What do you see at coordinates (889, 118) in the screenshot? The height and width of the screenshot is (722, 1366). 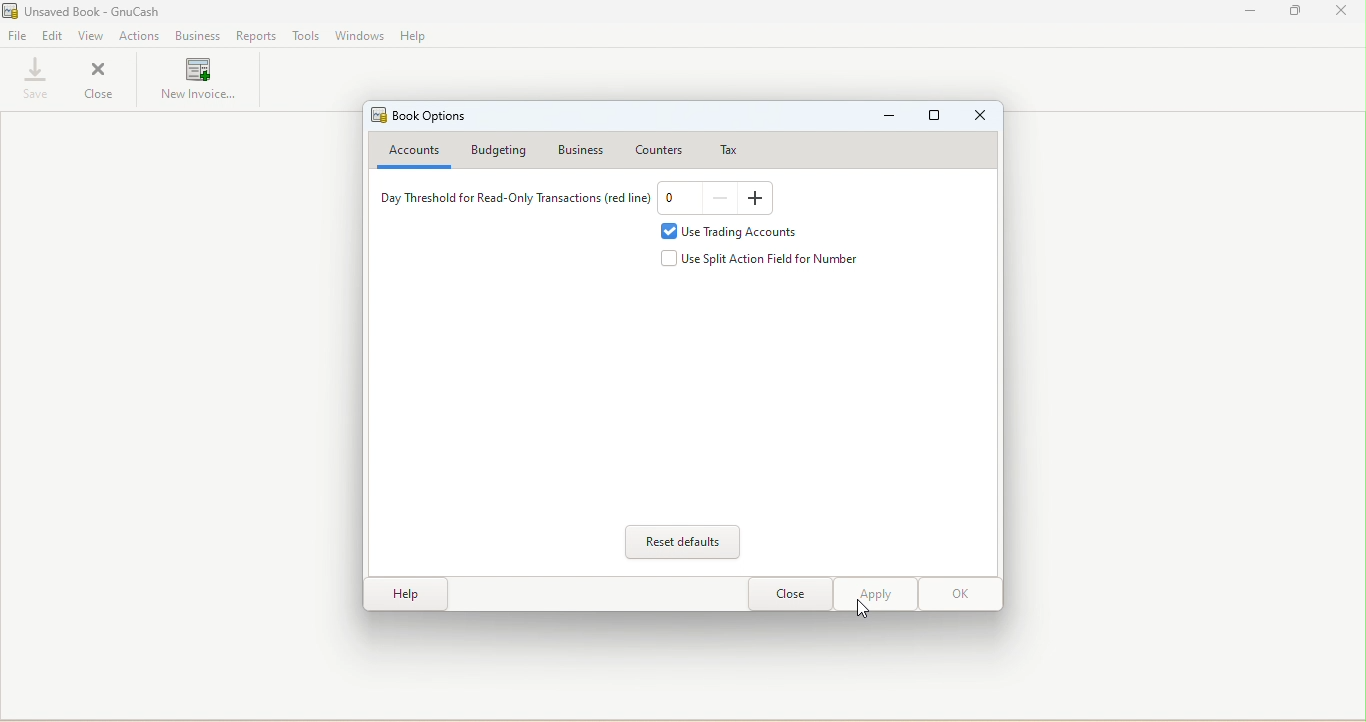 I see `Minimize` at bounding box center [889, 118].